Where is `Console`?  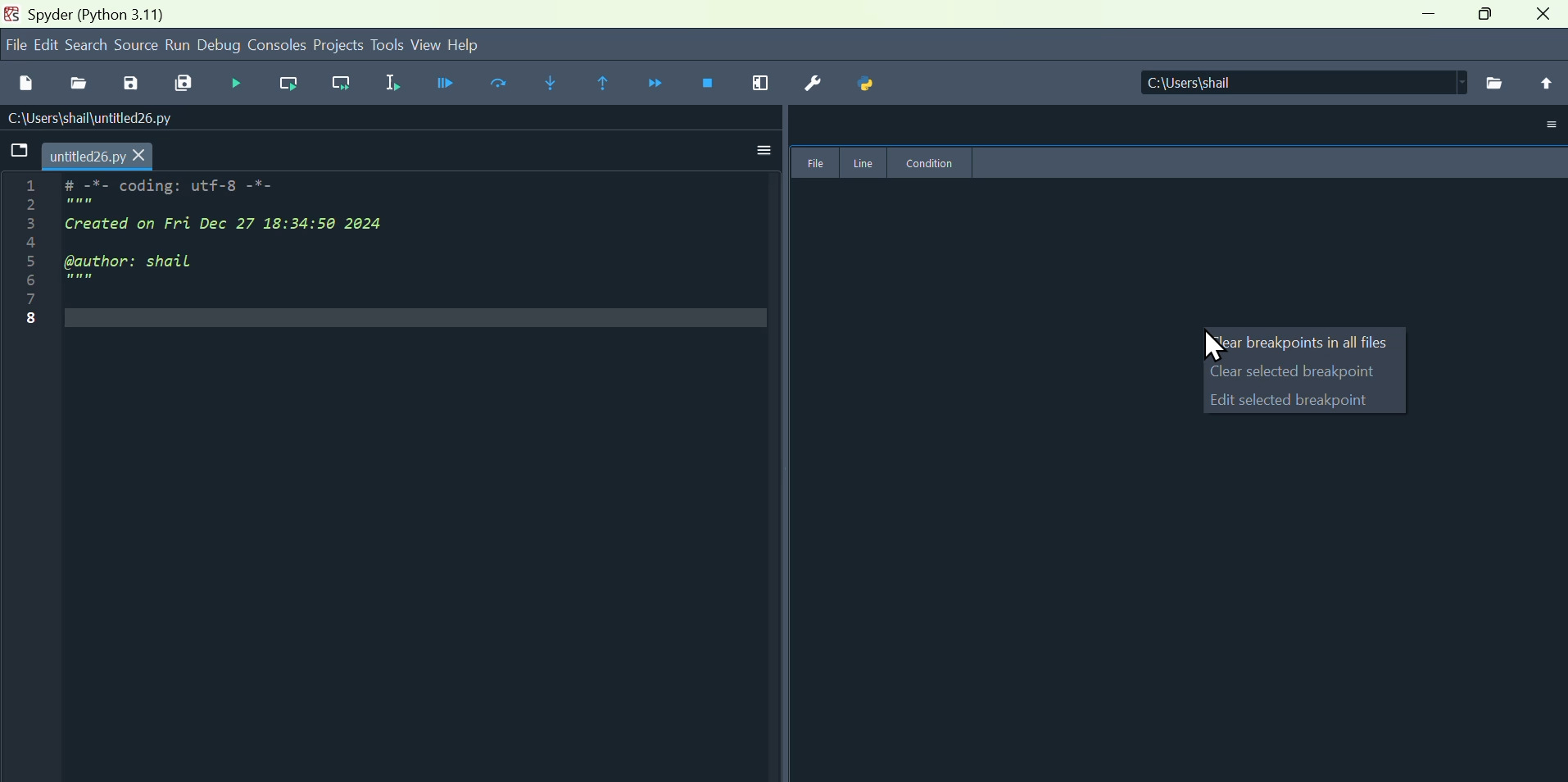
Console is located at coordinates (275, 47).